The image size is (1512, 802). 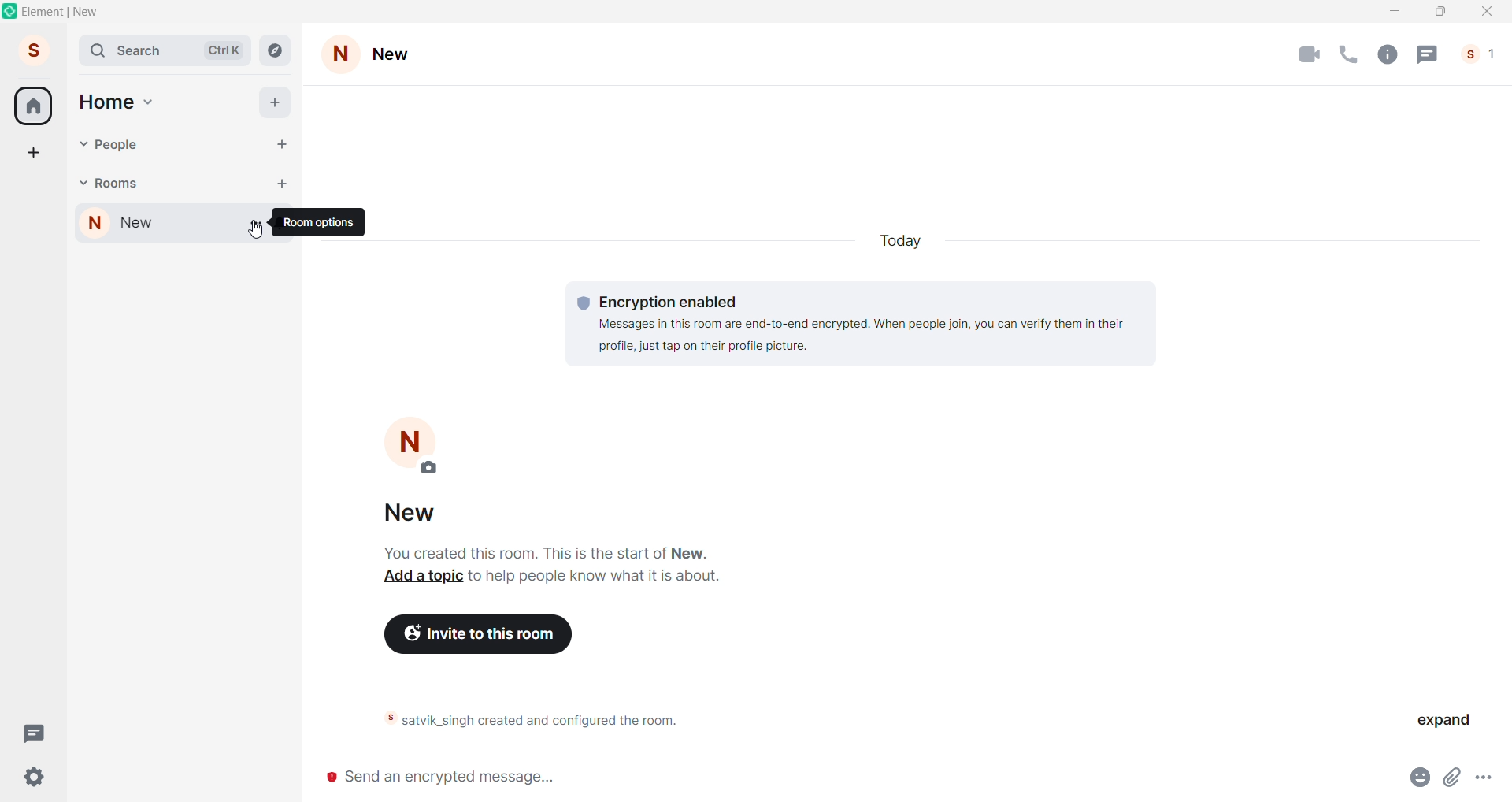 I want to click on to help people know what it is about., so click(x=595, y=579).